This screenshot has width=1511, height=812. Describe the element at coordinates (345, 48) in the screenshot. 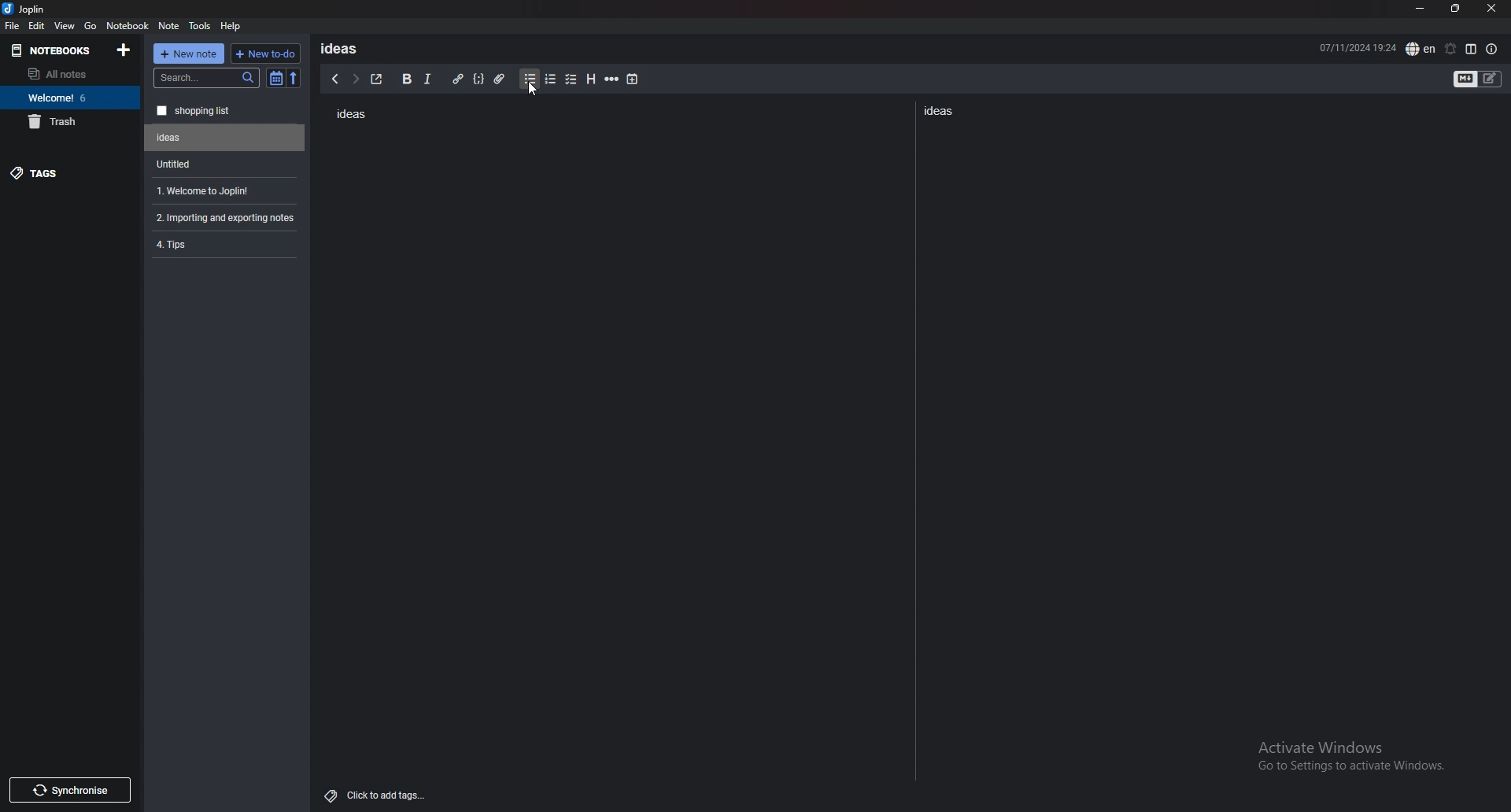

I see `ideas` at that location.